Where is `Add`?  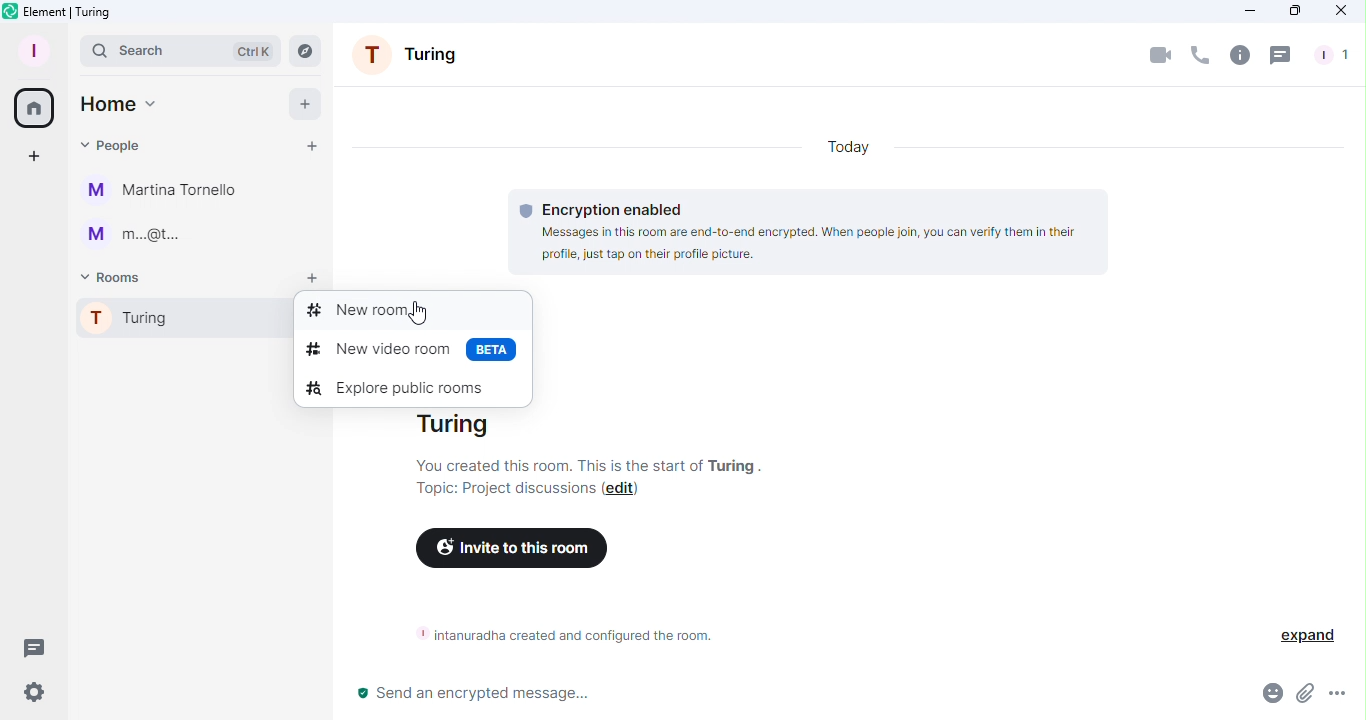 Add is located at coordinates (299, 103).